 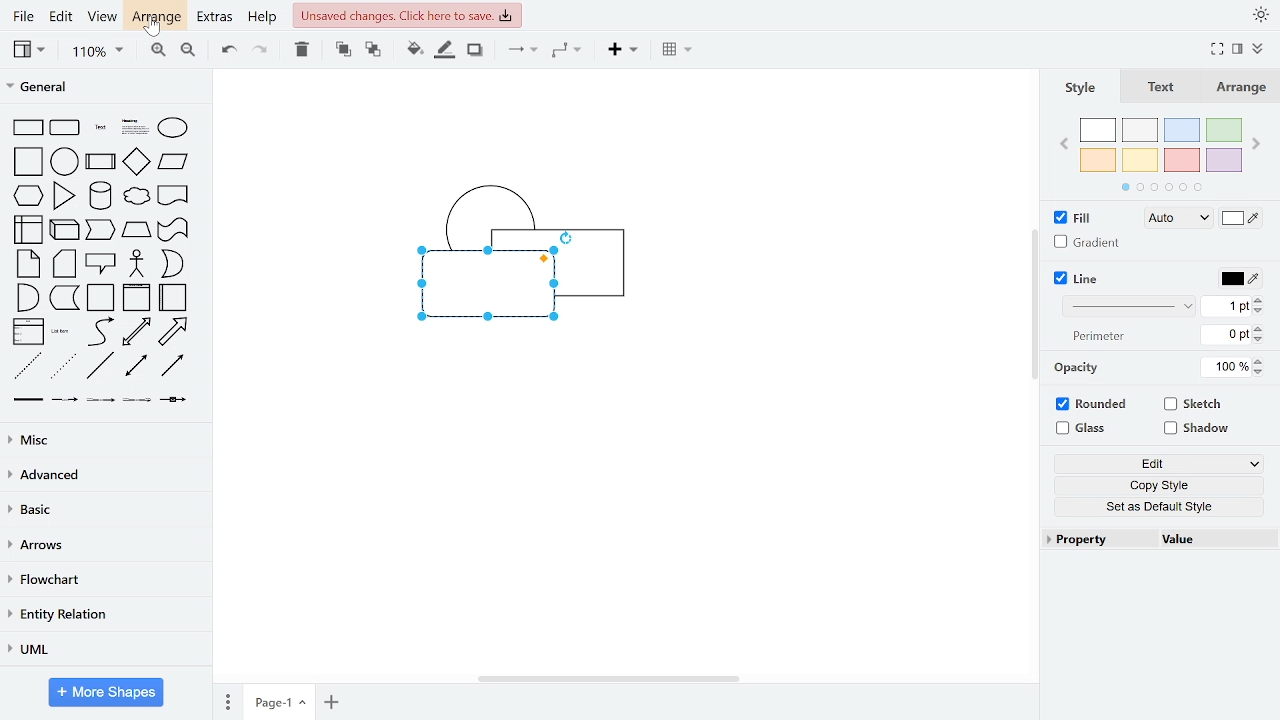 What do you see at coordinates (1098, 130) in the screenshot?
I see `white` at bounding box center [1098, 130].